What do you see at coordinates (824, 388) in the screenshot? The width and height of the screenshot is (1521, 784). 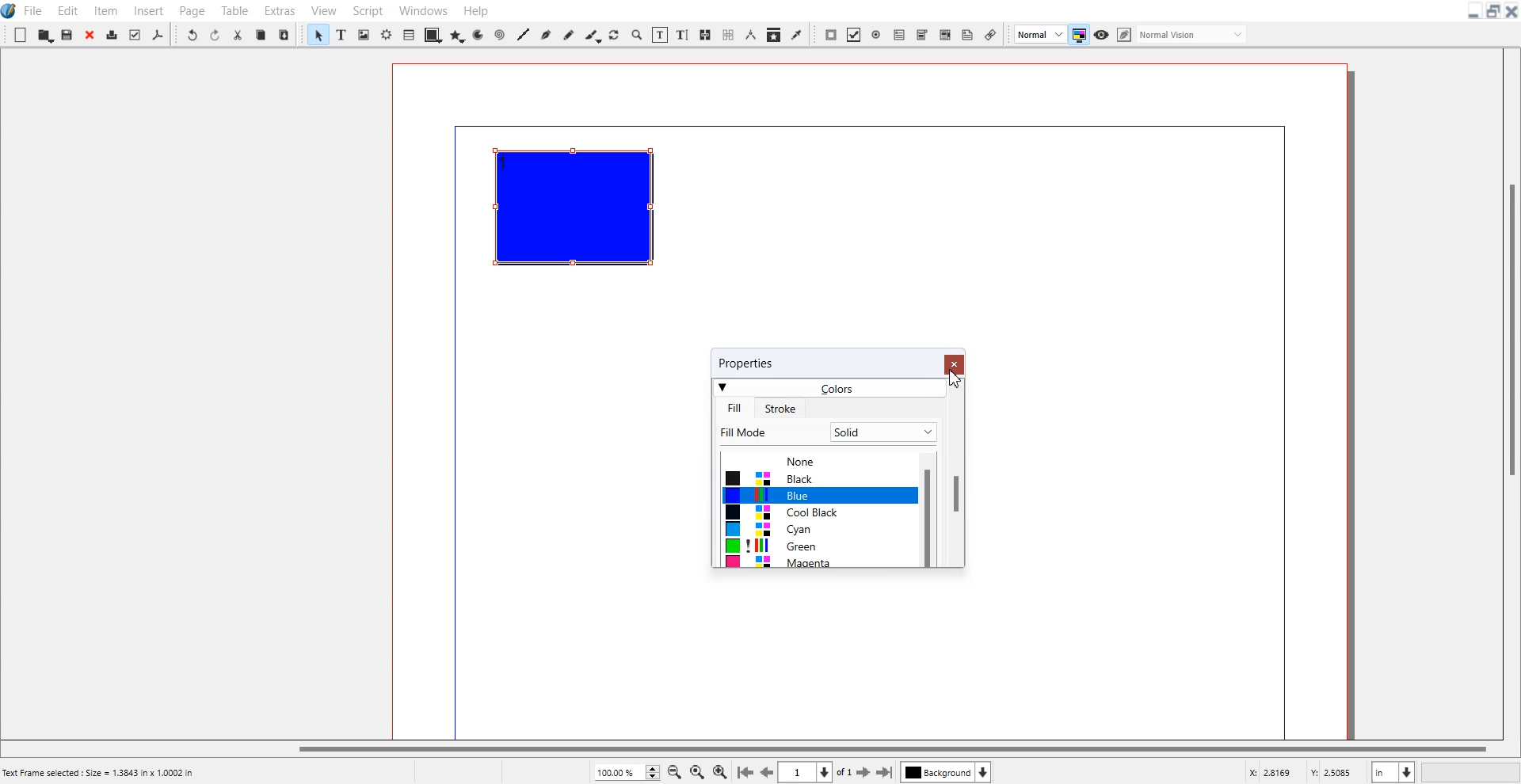 I see `Colors` at bounding box center [824, 388].